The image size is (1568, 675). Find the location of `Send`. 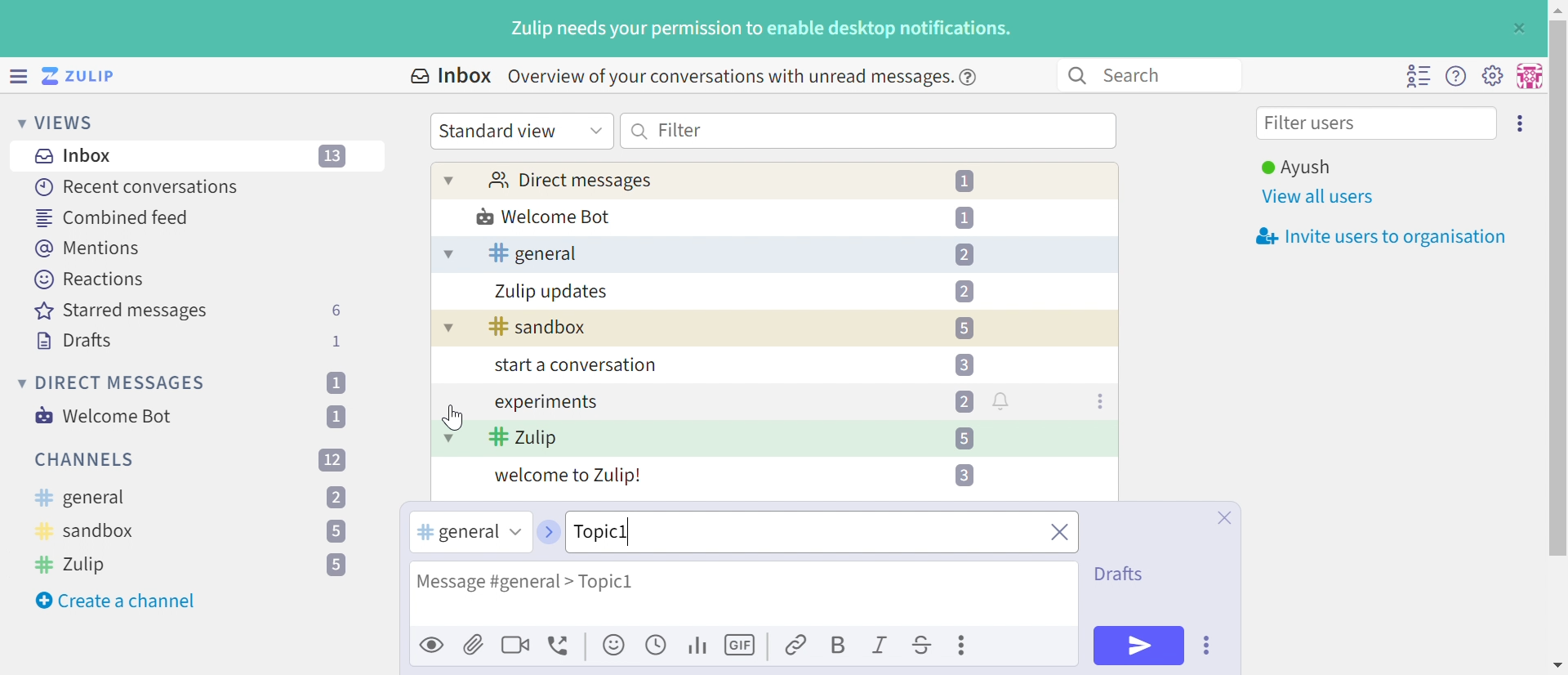

Send is located at coordinates (1139, 645).